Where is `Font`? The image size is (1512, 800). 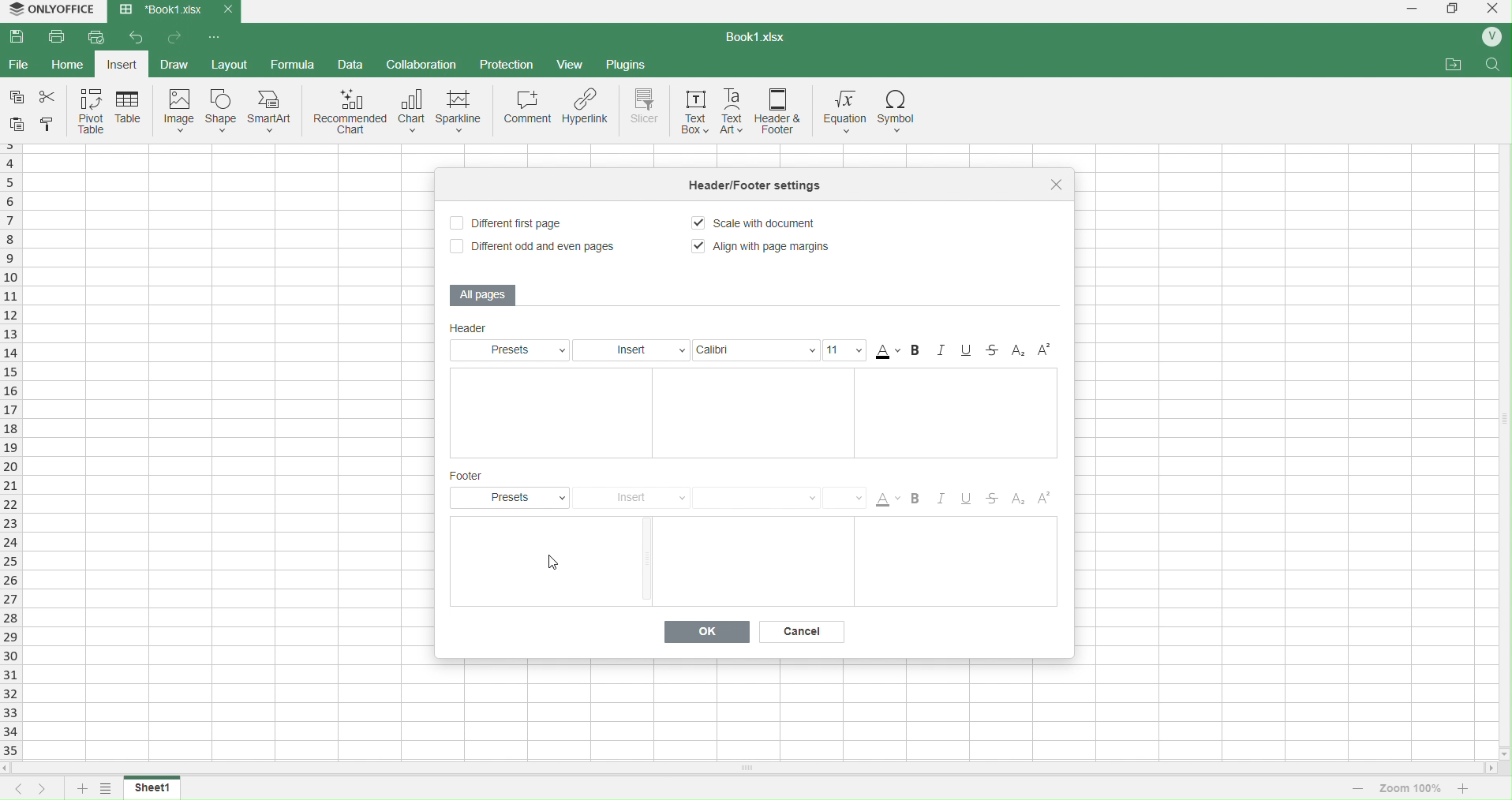
Font is located at coordinates (754, 497).